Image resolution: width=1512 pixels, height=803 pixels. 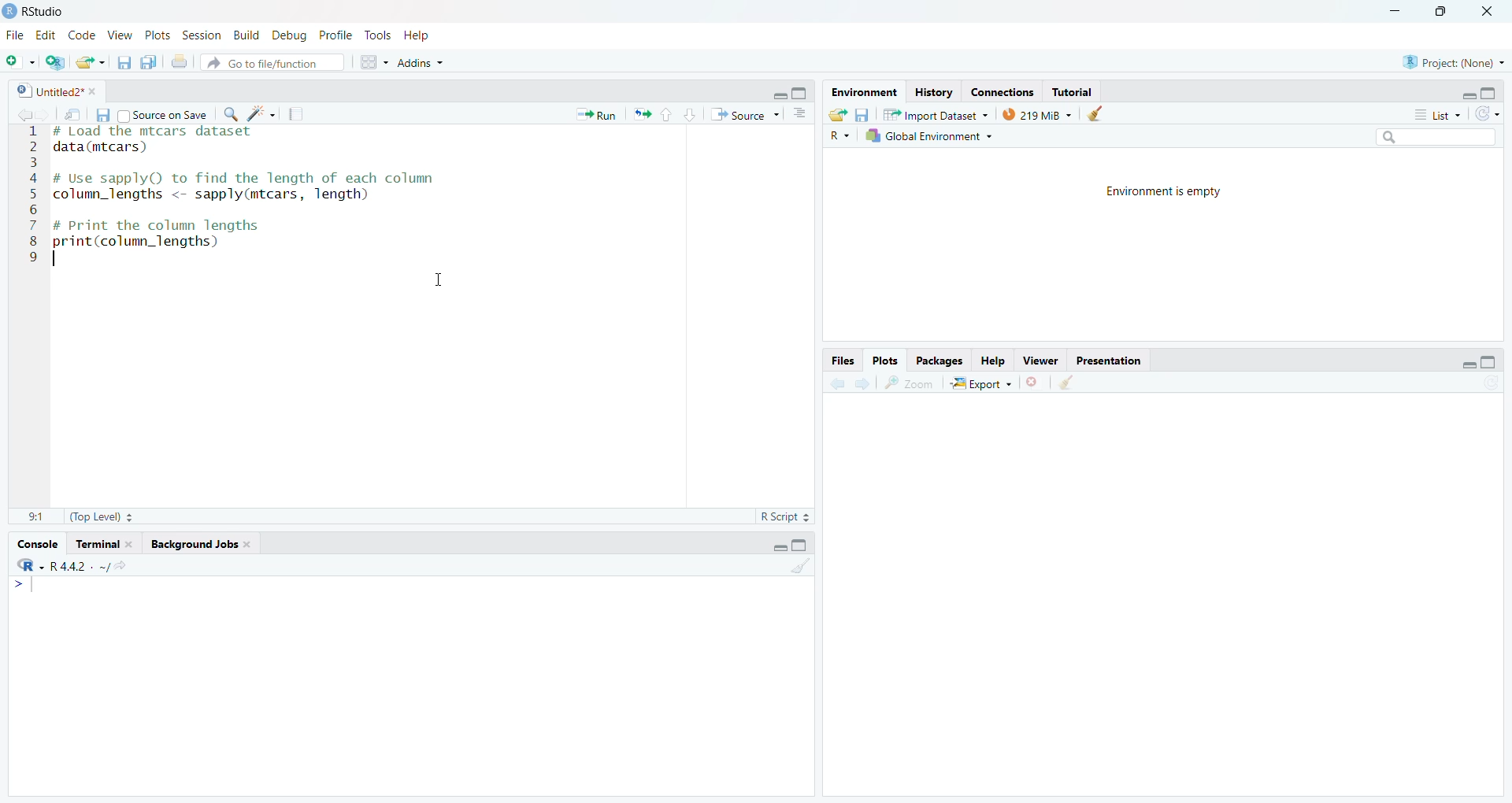 I want to click on File, so click(x=17, y=34).